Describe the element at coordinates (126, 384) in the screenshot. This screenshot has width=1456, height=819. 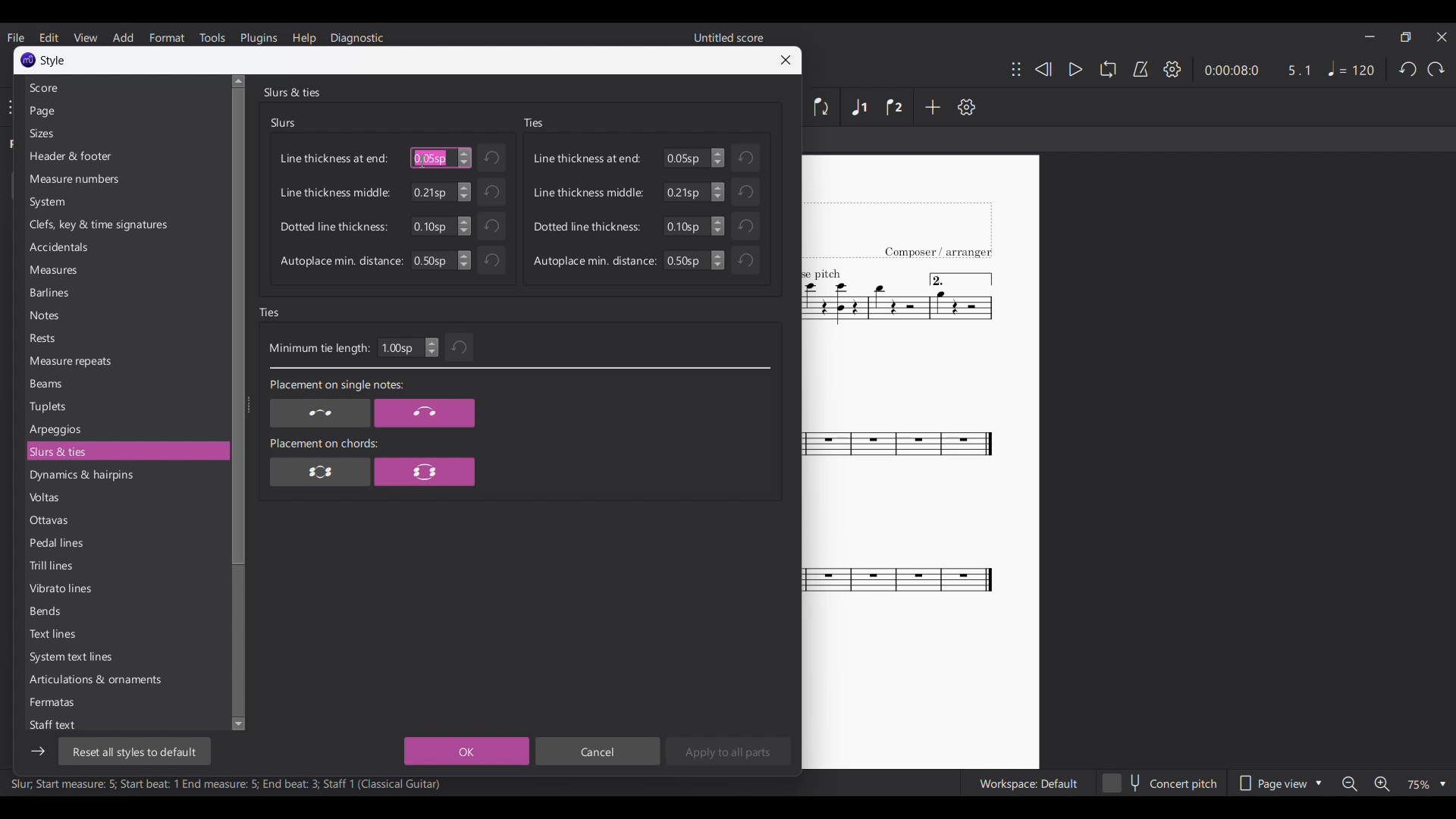
I see `Beams` at that location.